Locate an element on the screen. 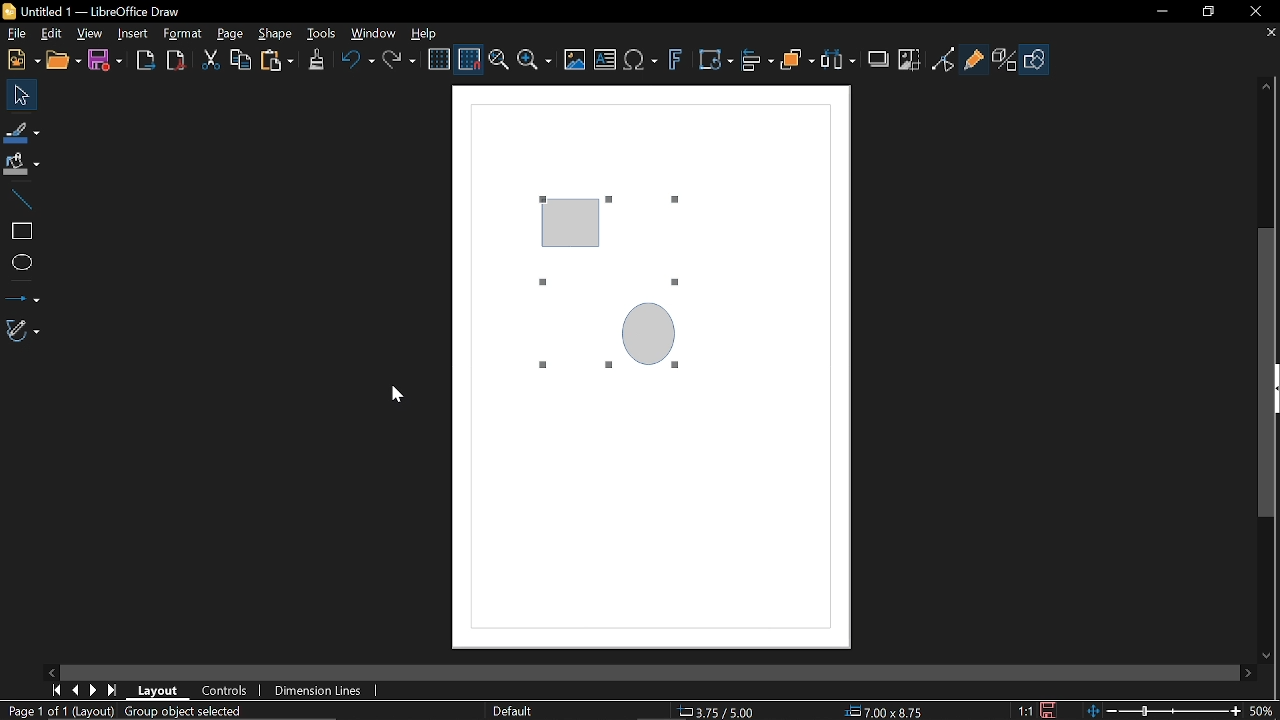 The height and width of the screenshot is (720, 1280). Select is located at coordinates (17, 93).